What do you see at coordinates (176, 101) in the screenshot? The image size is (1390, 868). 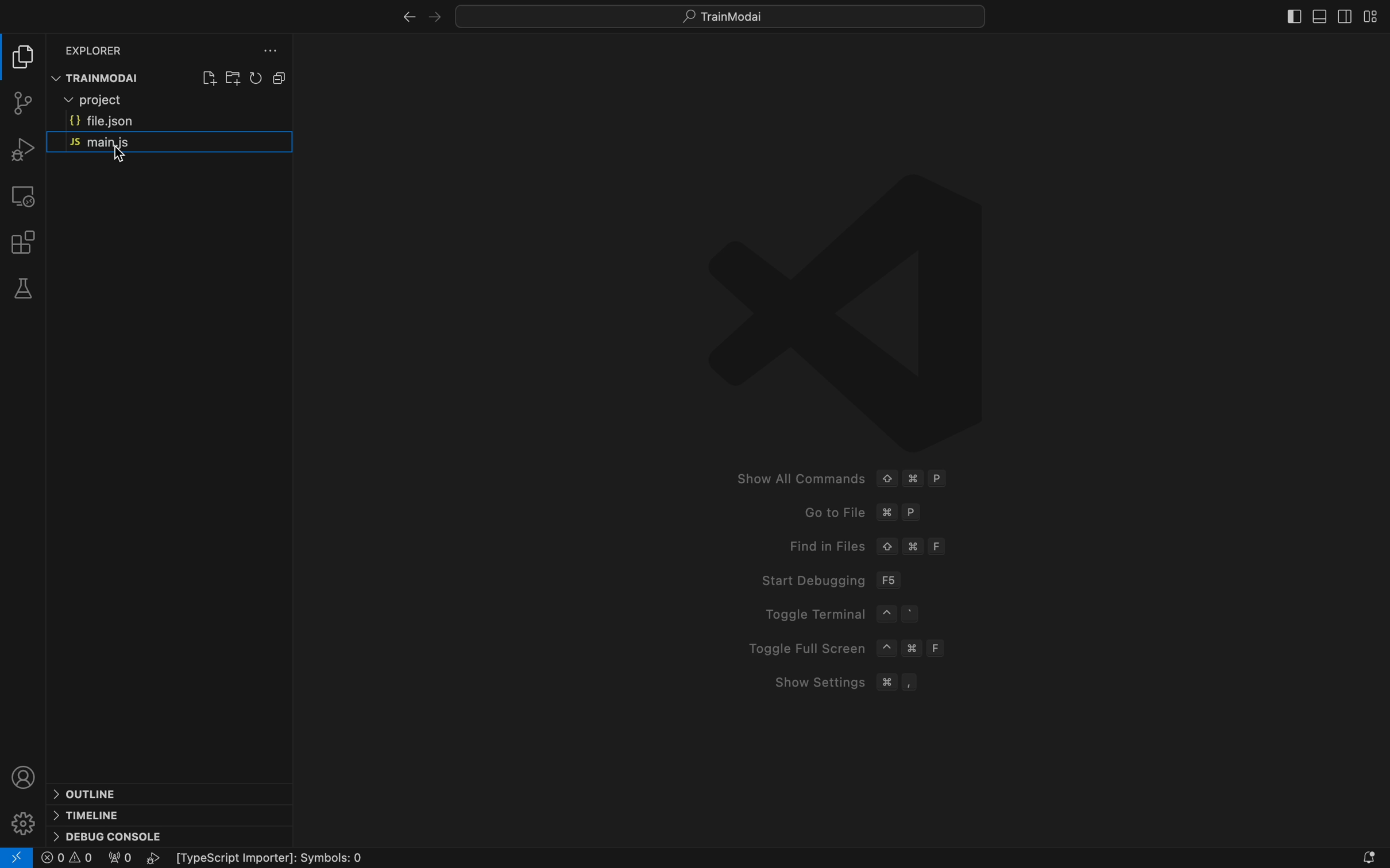 I see `project` at bounding box center [176, 101].